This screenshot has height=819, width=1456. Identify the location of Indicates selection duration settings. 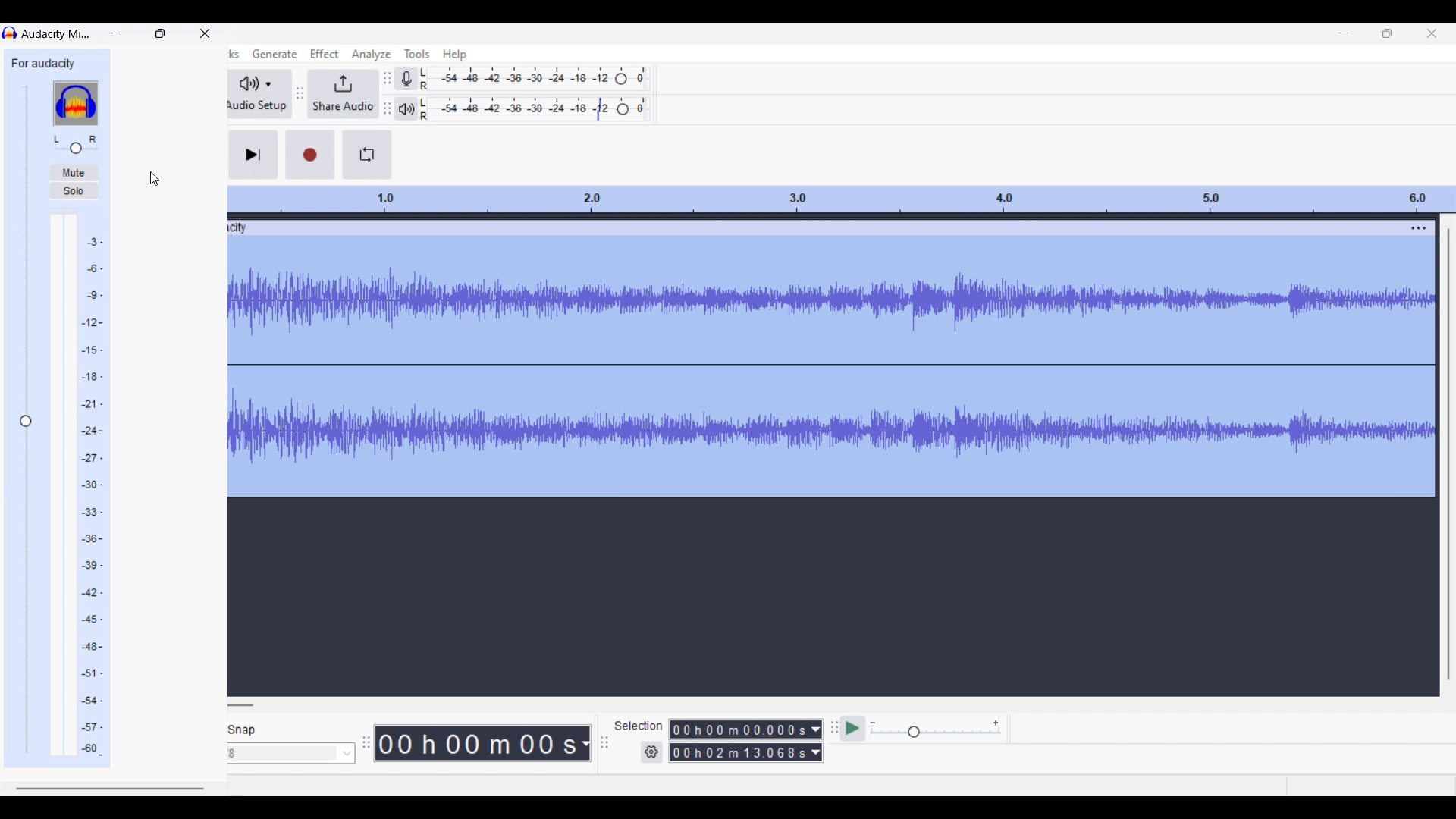
(639, 726).